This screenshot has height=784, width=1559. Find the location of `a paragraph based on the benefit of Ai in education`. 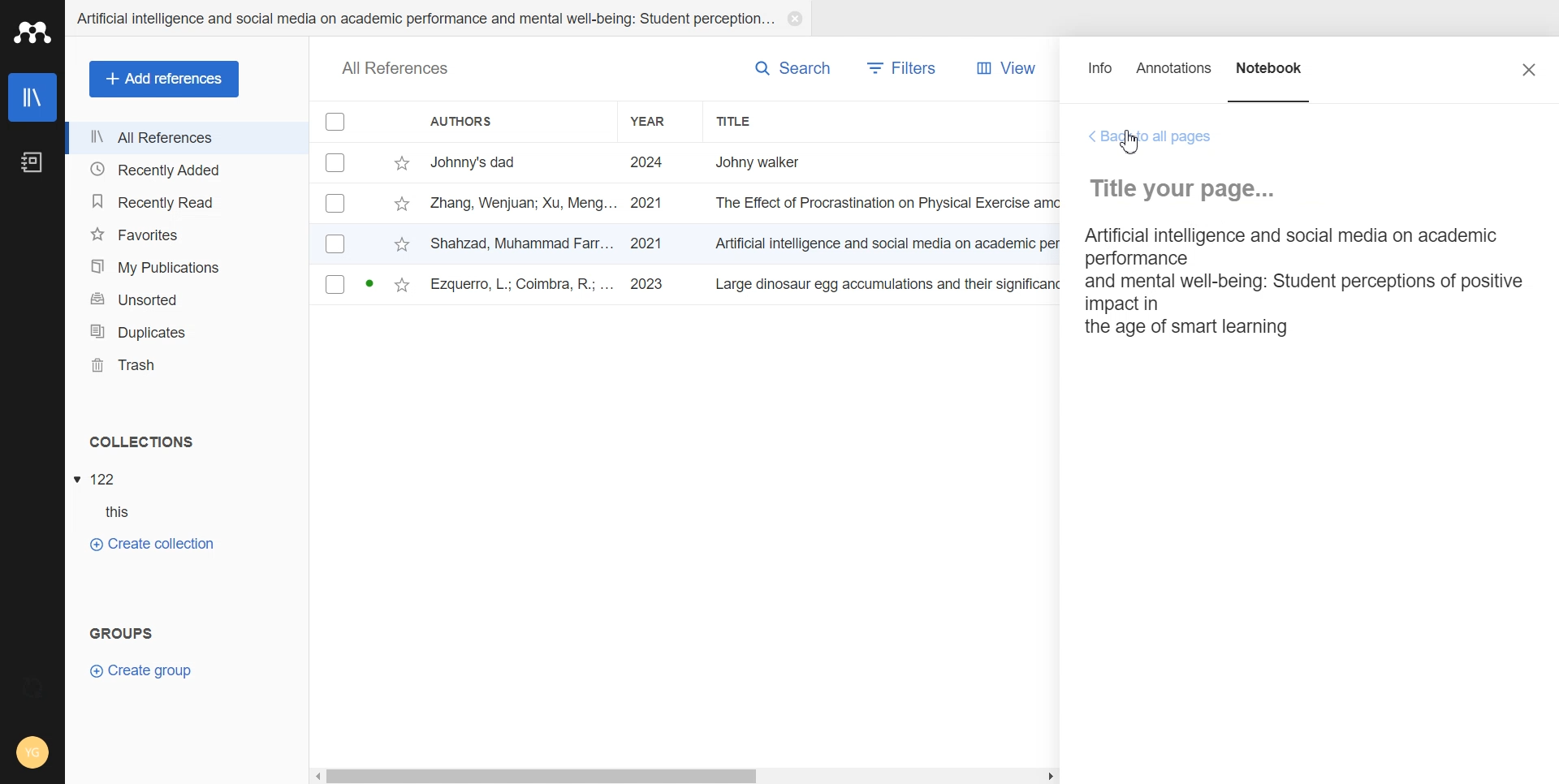

a paragraph based on the benefit of Ai in education is located at coordinates (1299, 282).